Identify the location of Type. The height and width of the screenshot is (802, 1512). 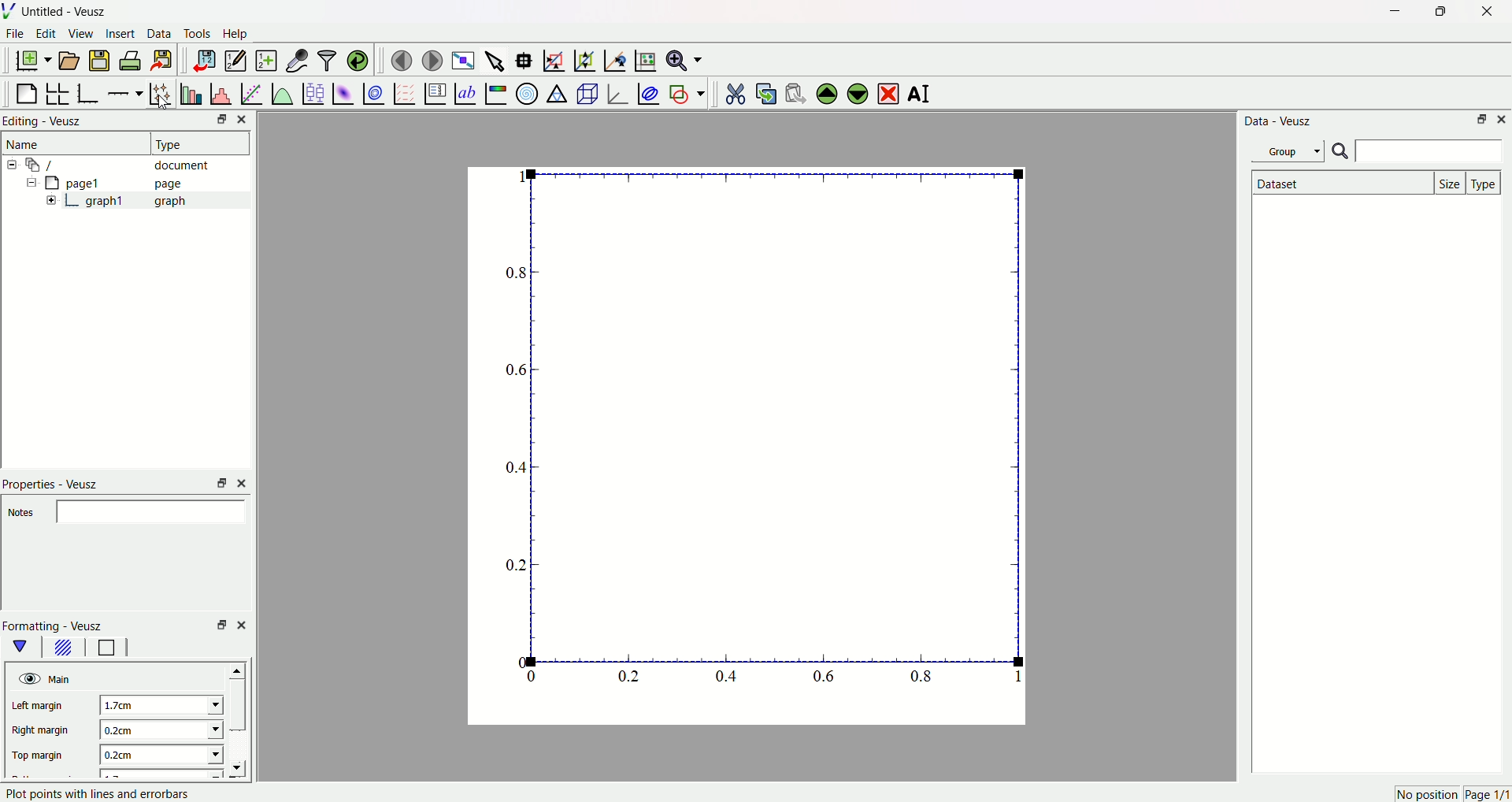
(193, 143).